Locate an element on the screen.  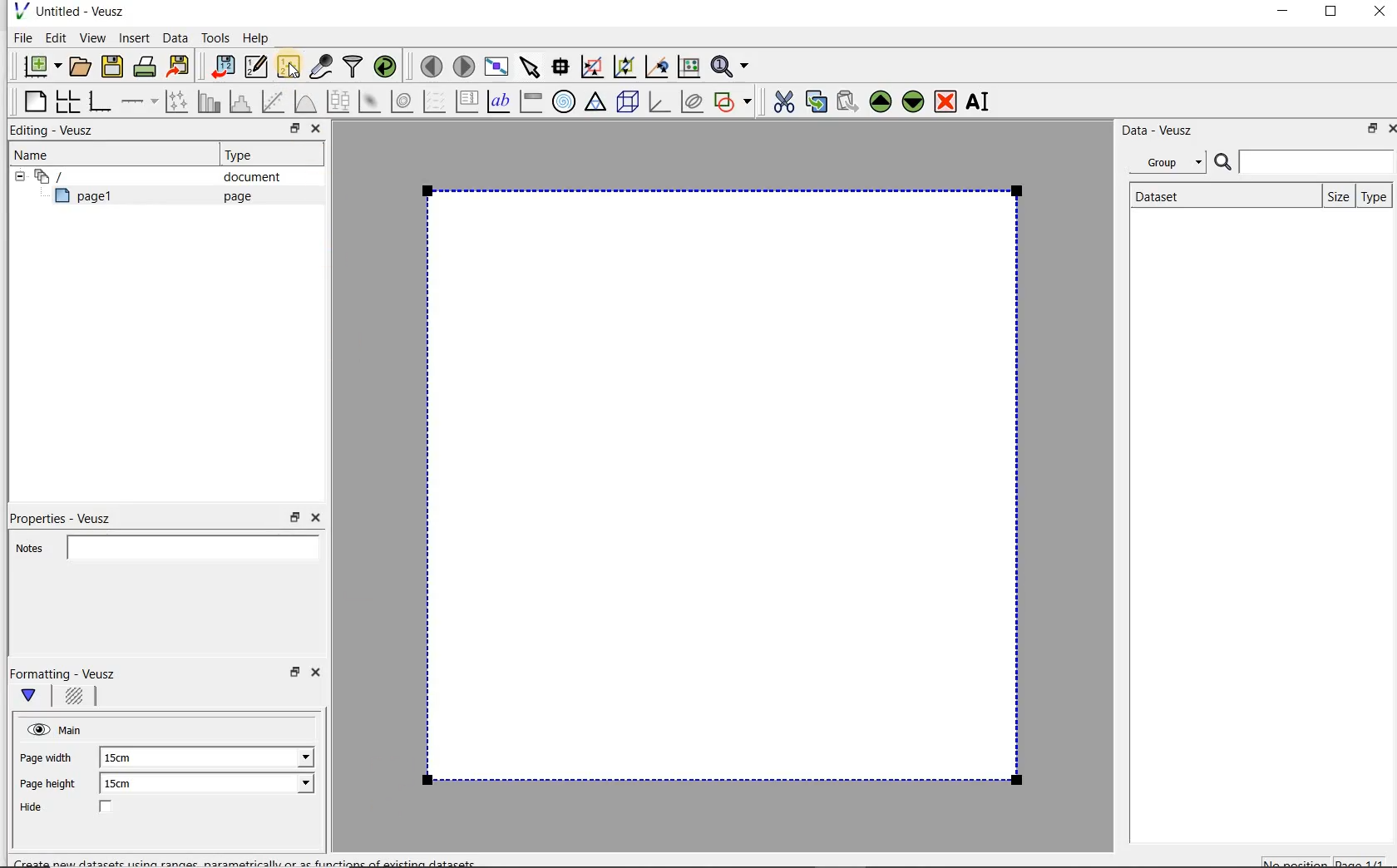
hide sub menu is located at coordinates (16, 175).